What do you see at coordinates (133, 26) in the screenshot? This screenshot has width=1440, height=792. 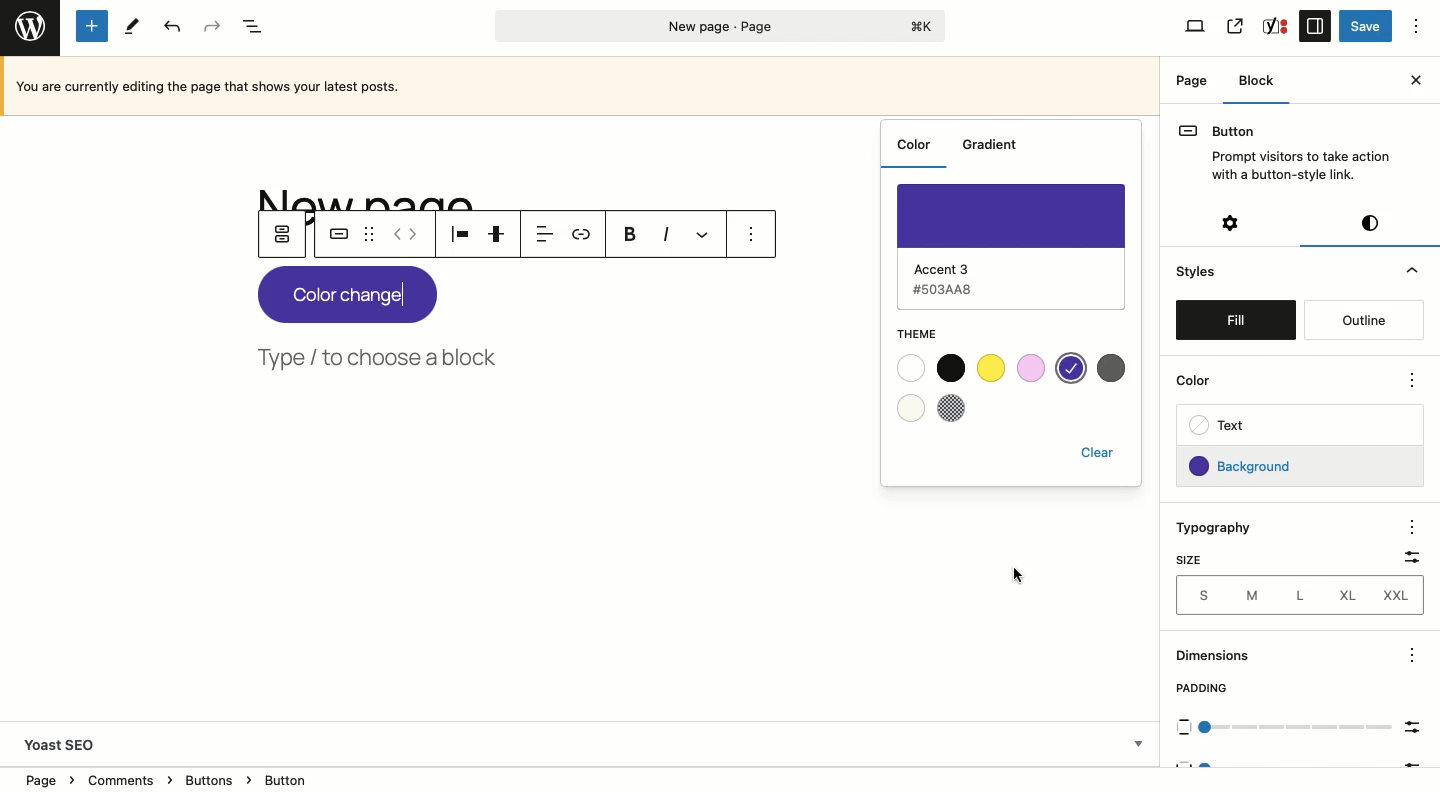 I see `Tools` at bounding box center [133, 26].